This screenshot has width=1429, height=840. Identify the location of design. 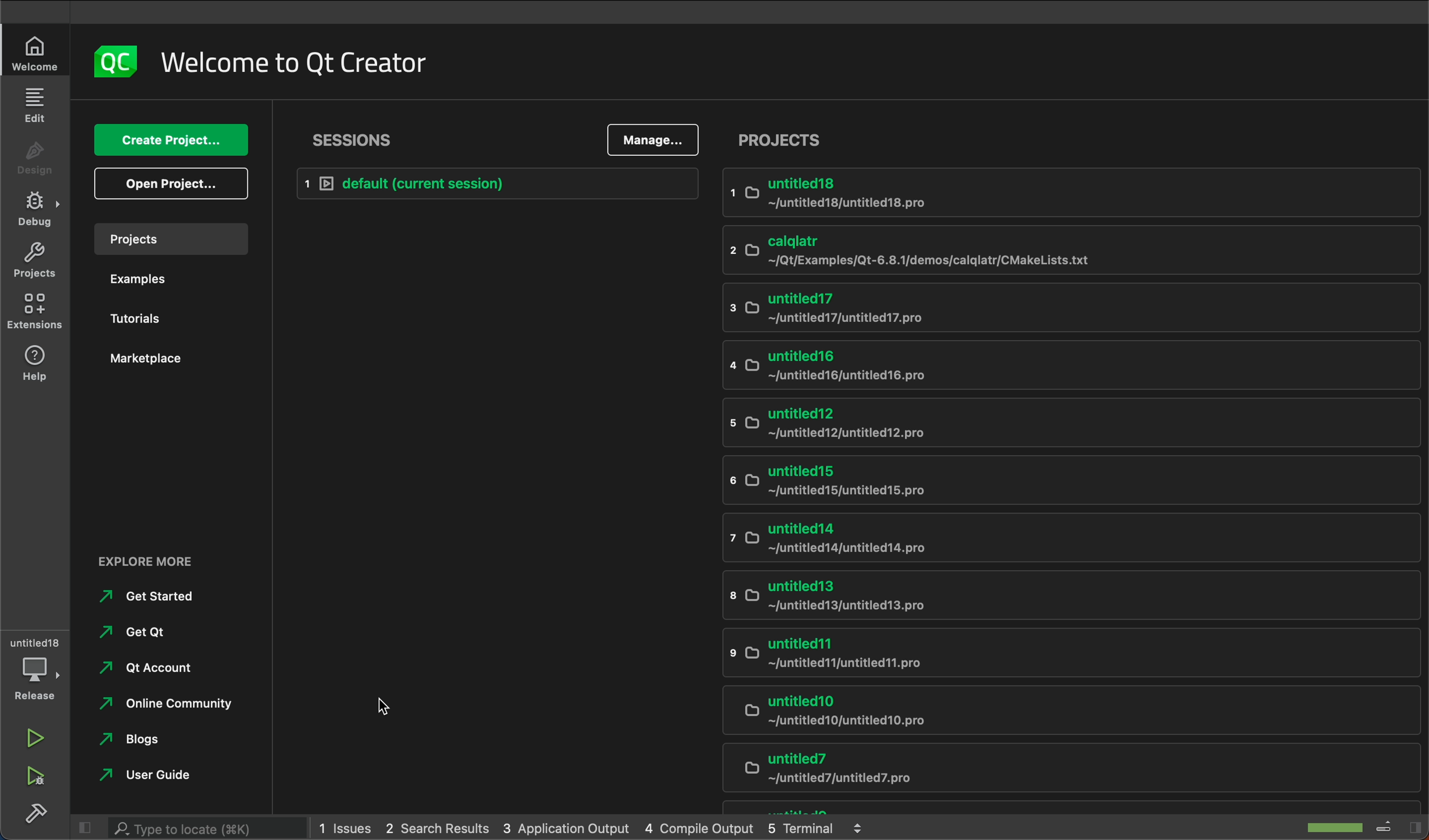
(35, 162).